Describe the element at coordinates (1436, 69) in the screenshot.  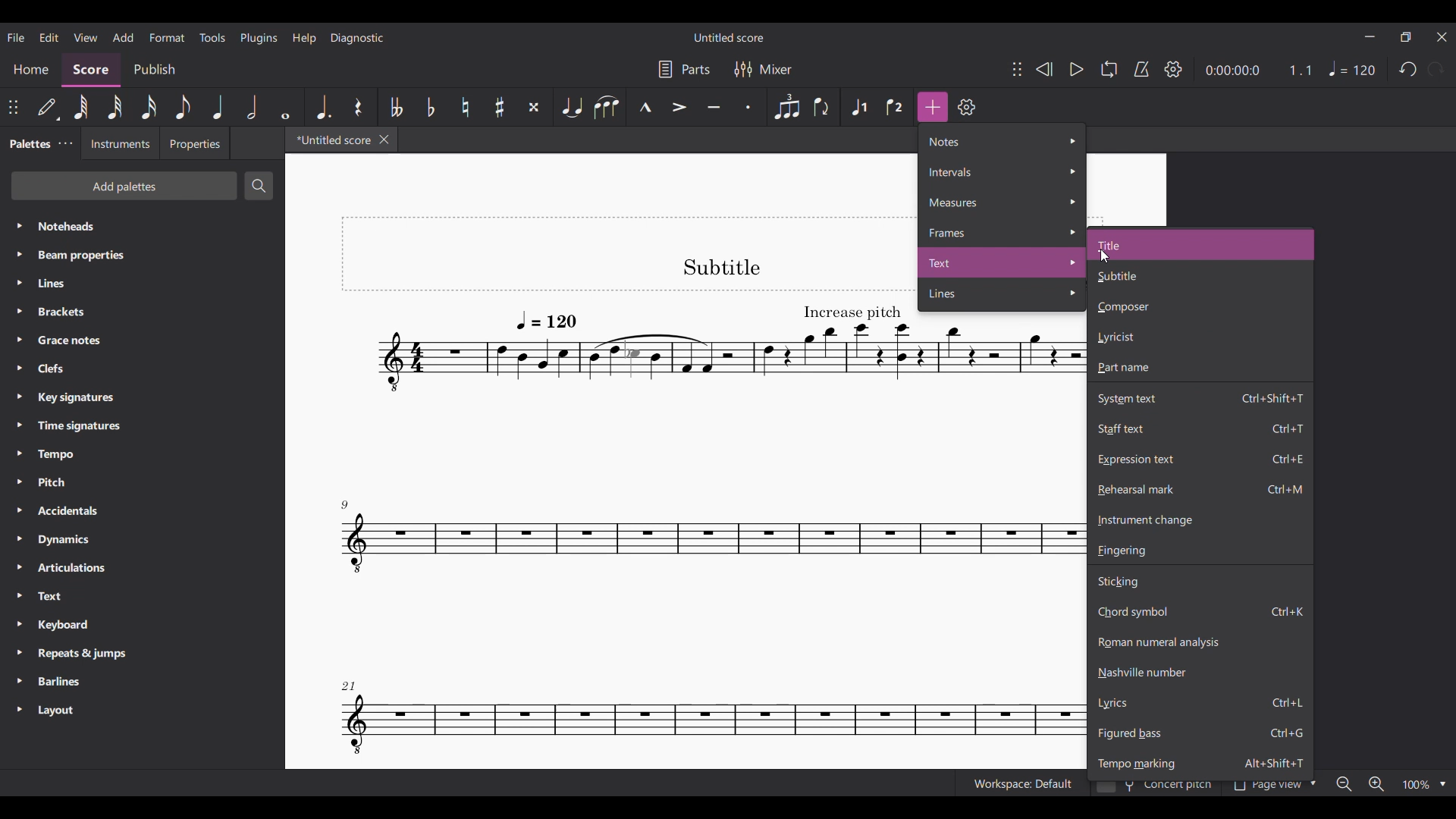
I see `Redo` at that location.